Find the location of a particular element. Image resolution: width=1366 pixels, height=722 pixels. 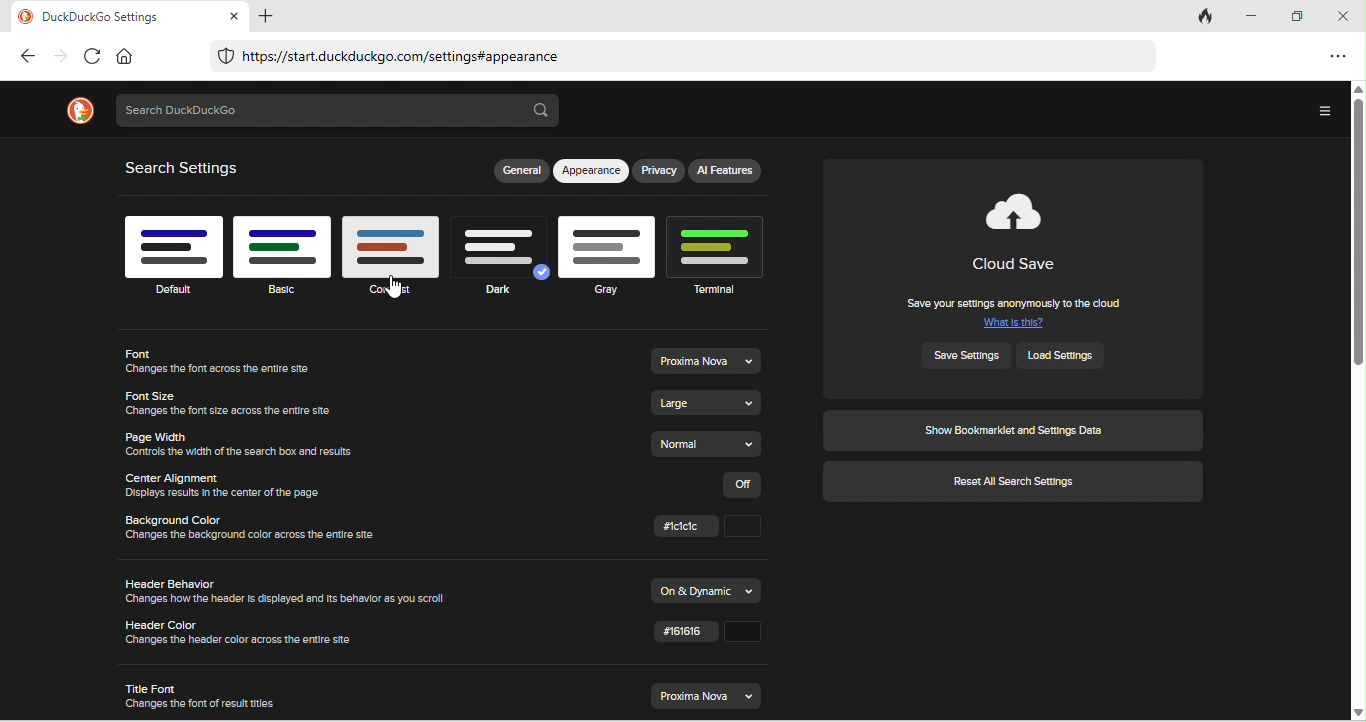

web link is located at coordinates (680, 58).